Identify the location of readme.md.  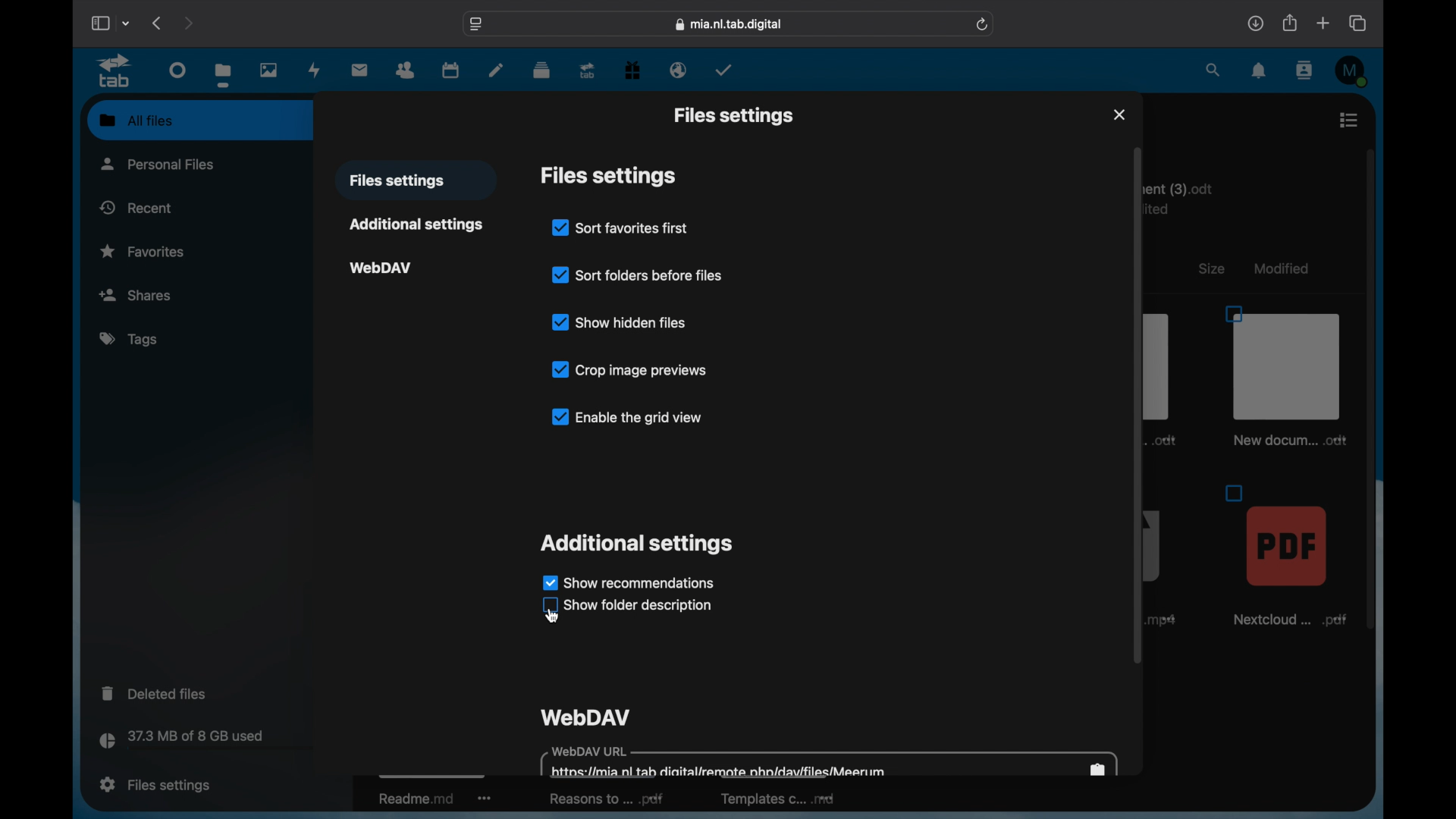
(435, 802).